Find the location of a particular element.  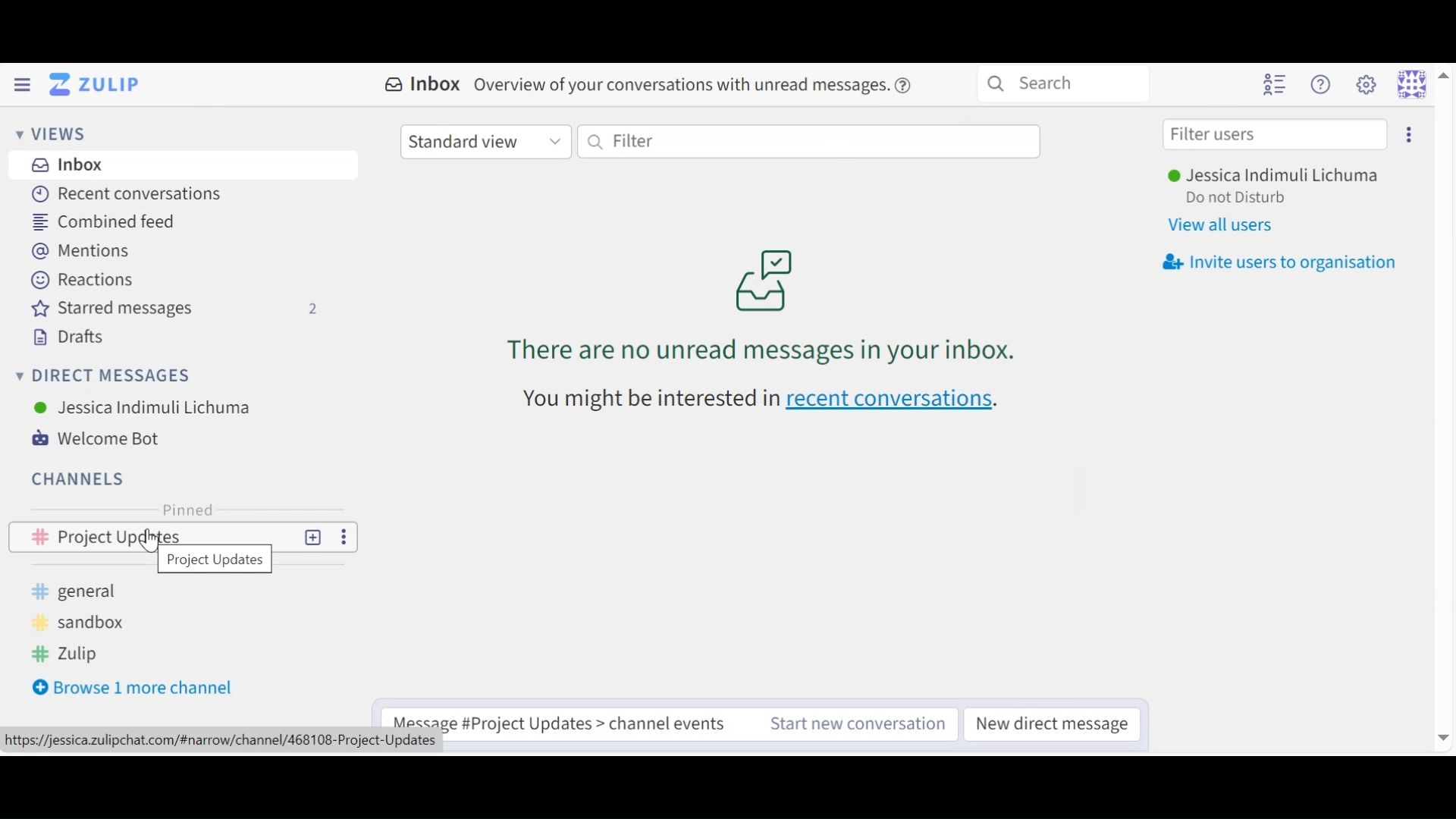

User is located at coordinates (149, 409).